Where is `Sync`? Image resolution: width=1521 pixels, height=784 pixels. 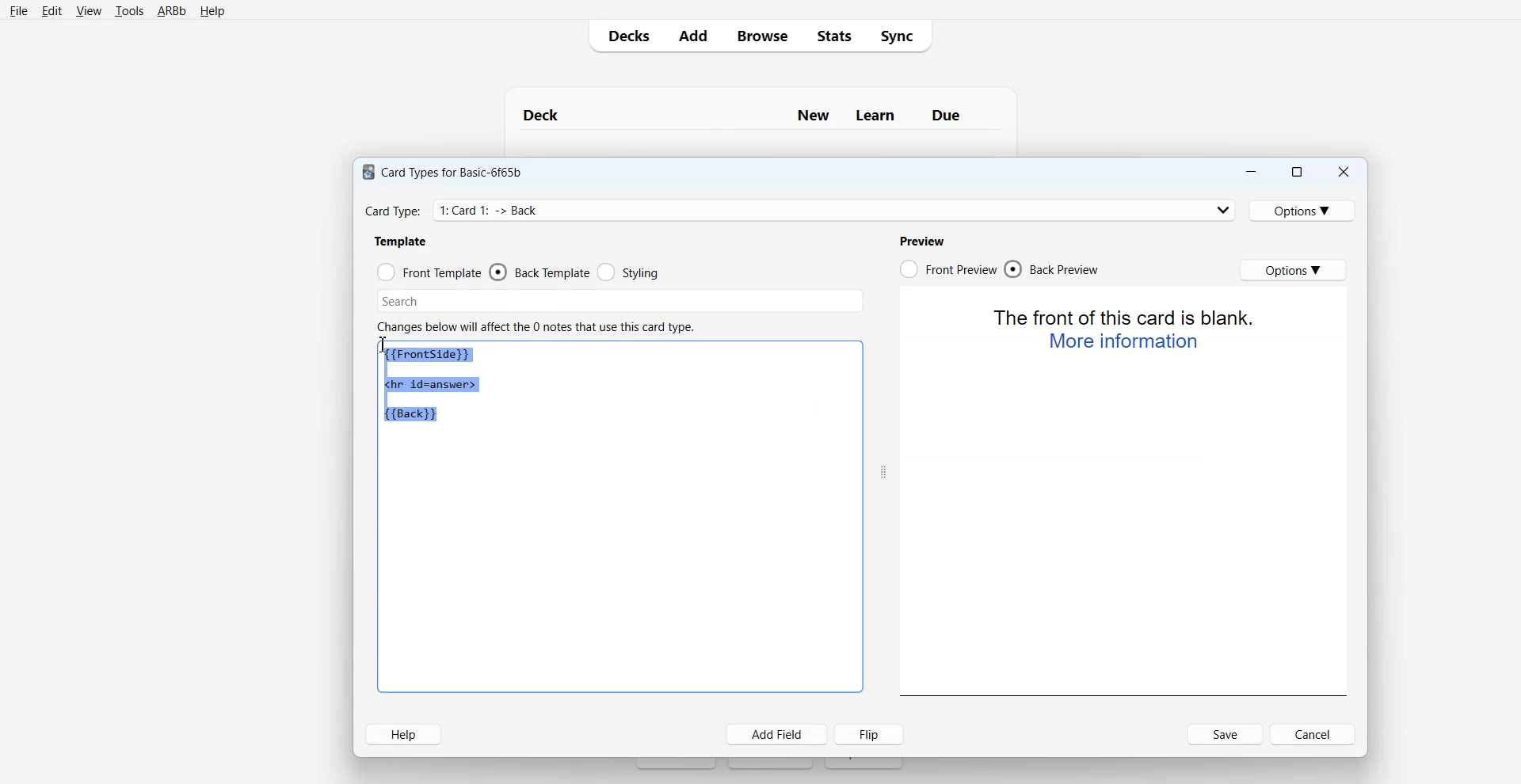 Sync is located at coordinates (902, 36).